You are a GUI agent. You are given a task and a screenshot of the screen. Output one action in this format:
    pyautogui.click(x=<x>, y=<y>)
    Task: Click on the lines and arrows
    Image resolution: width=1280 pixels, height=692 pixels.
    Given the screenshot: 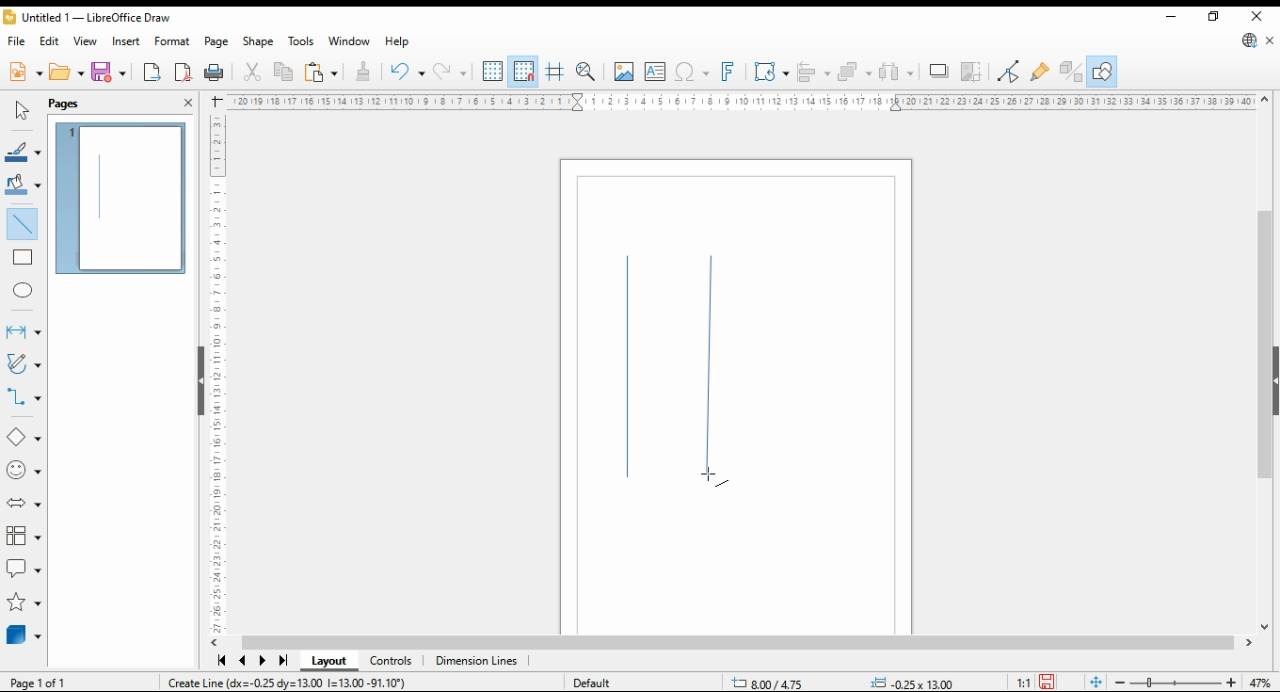 What is the action you would take?
    pyautogui.click(x=23, y=331)
    